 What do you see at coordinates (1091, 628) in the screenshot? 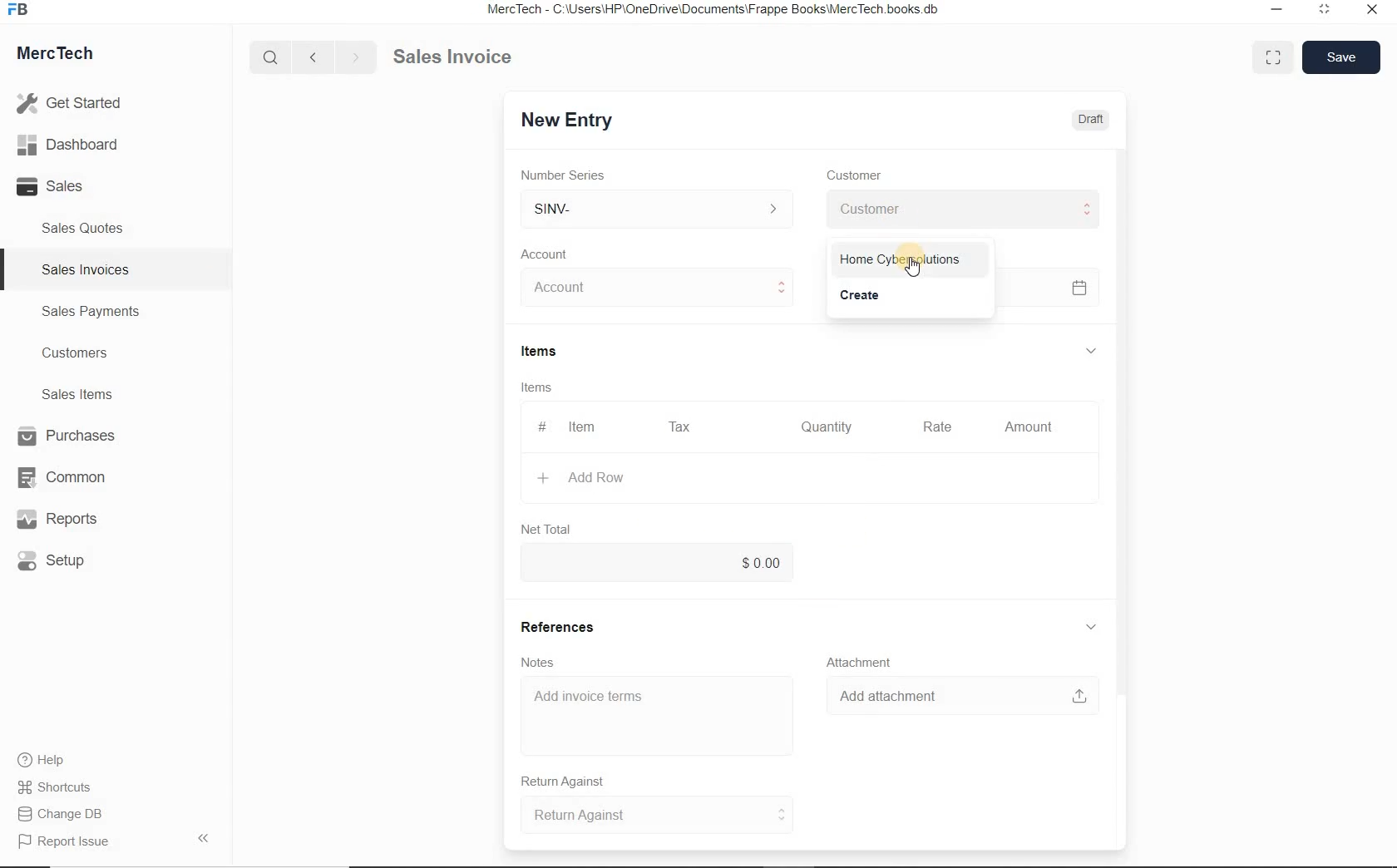
I see `hide sub menu` at bounding box center [1091, 628].